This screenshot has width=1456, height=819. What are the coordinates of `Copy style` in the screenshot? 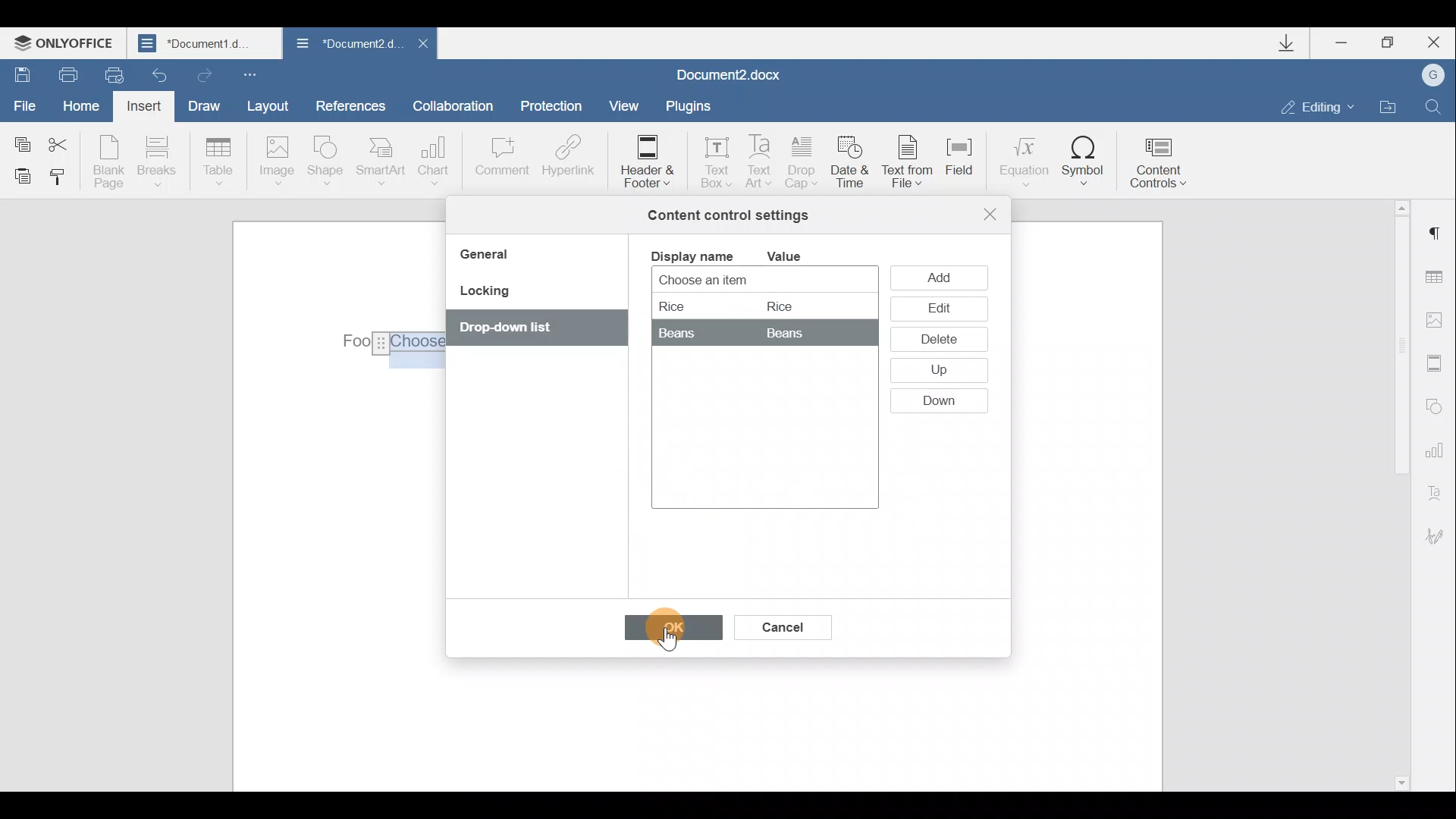 It's located at (59, 180).